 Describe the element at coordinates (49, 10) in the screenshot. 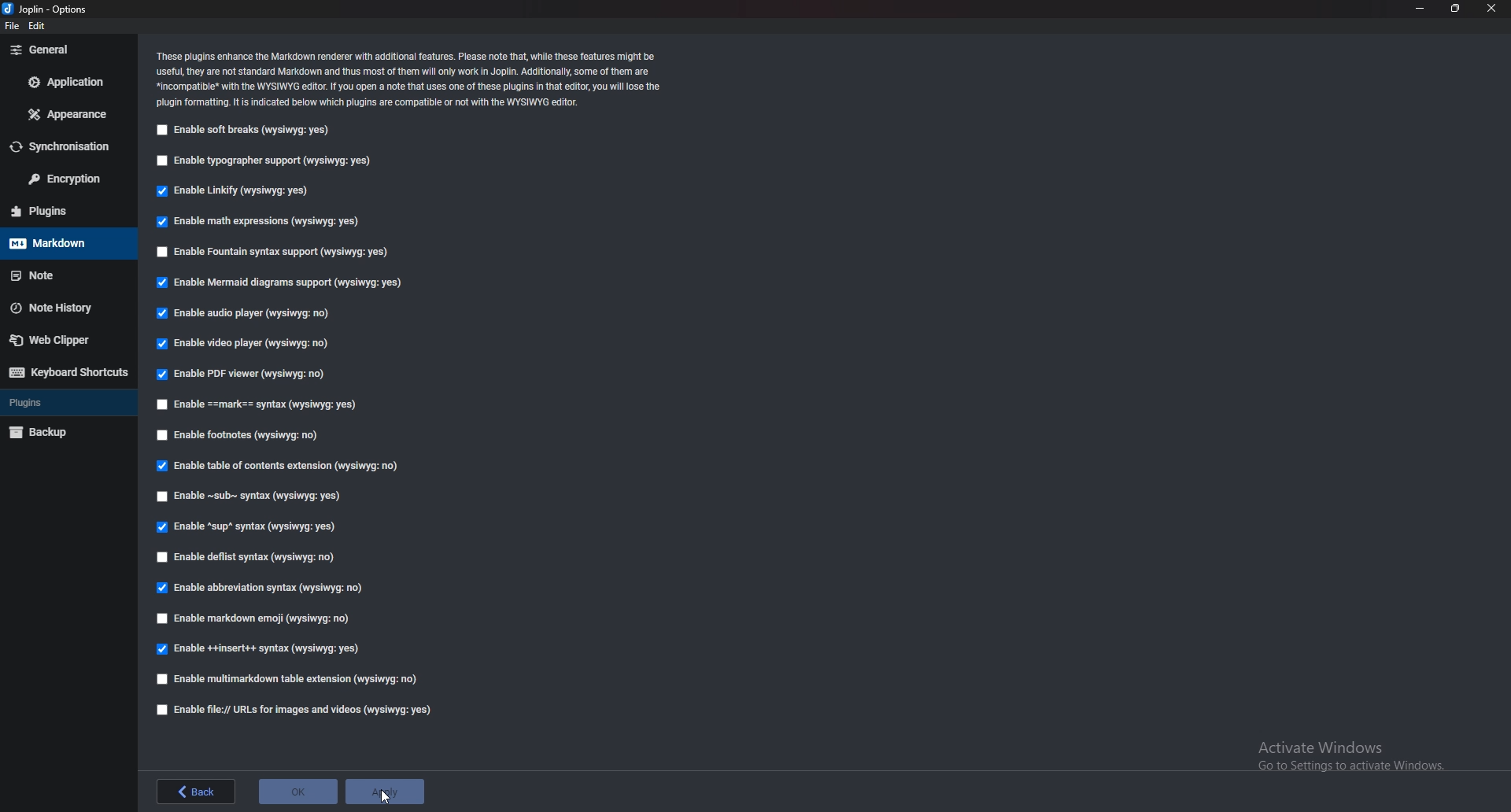

I see `Joblin - options (logo and name)` at that location.